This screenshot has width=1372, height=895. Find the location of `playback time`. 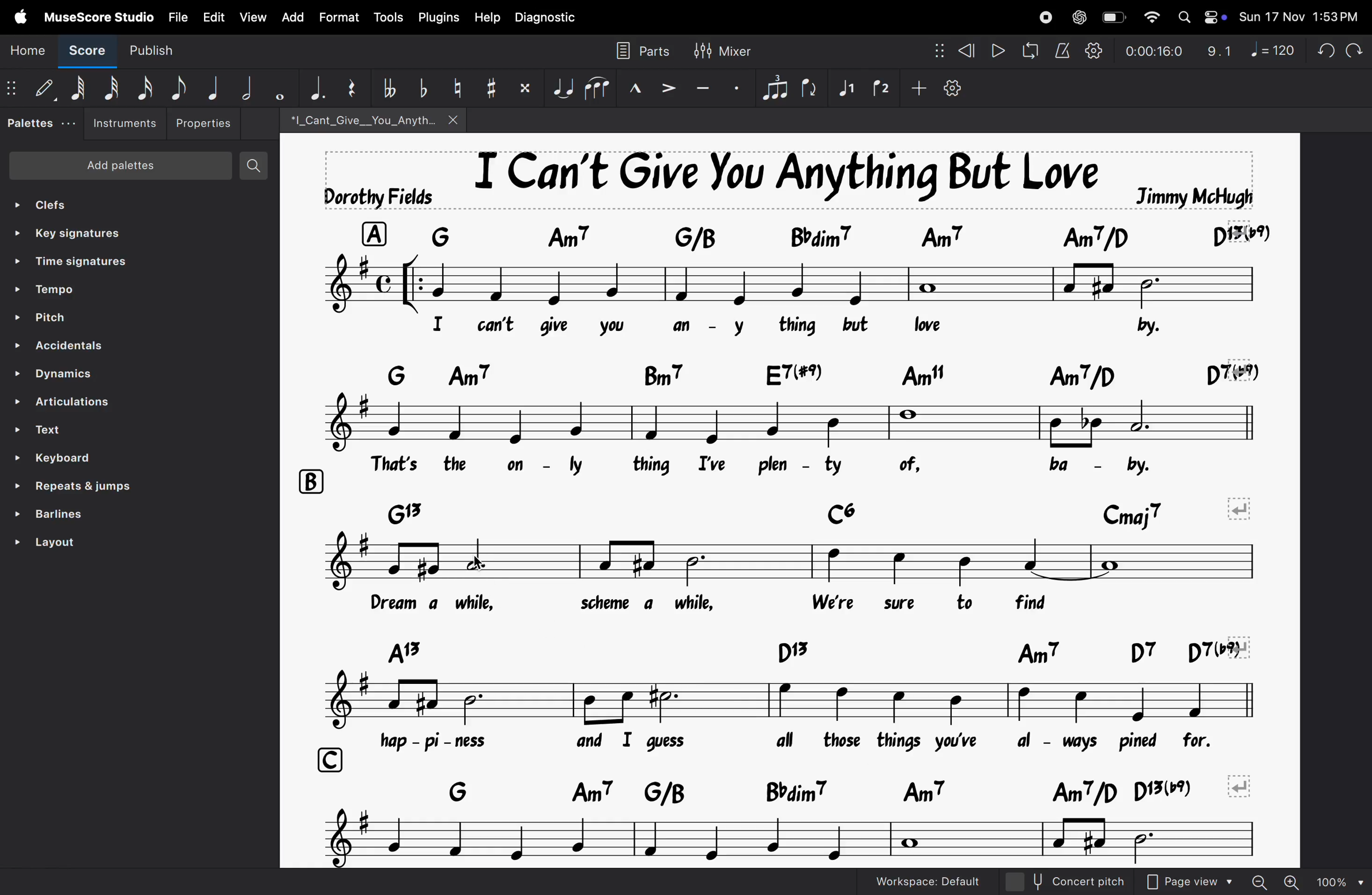

playback time is located at coordinates (1154, 51).